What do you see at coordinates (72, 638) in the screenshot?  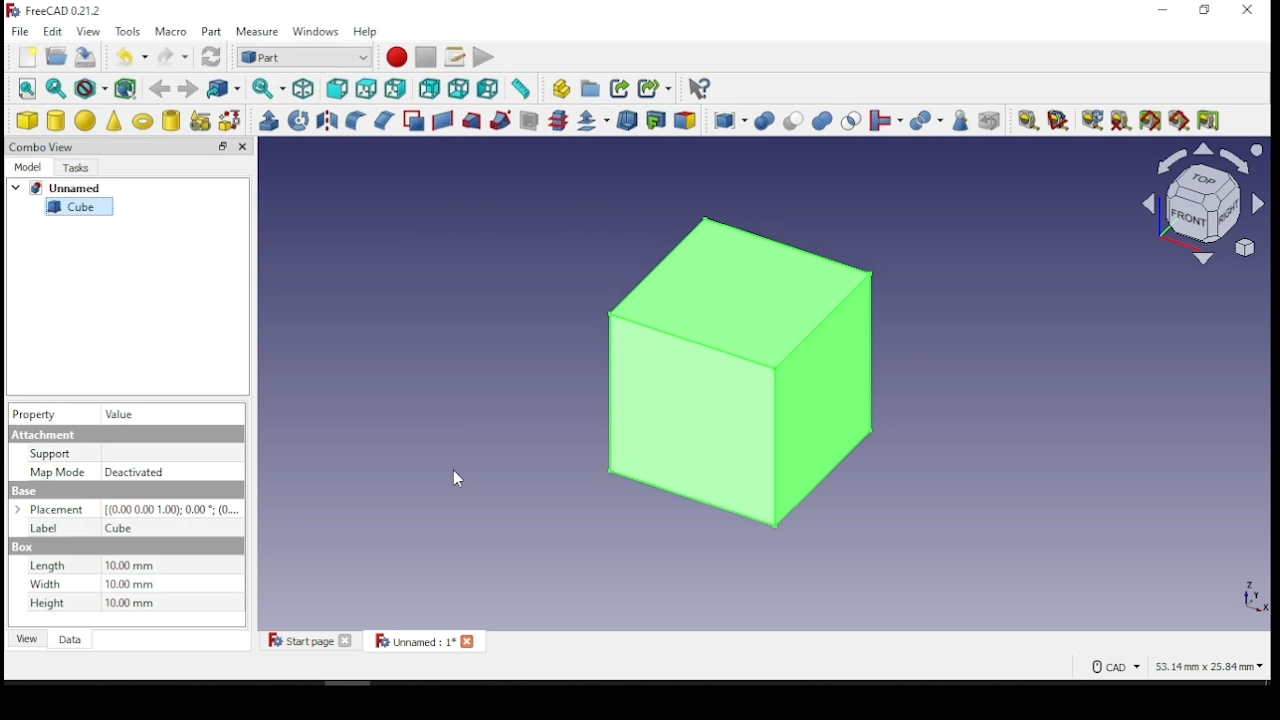 I see `data` at bounding box center [72, 638].